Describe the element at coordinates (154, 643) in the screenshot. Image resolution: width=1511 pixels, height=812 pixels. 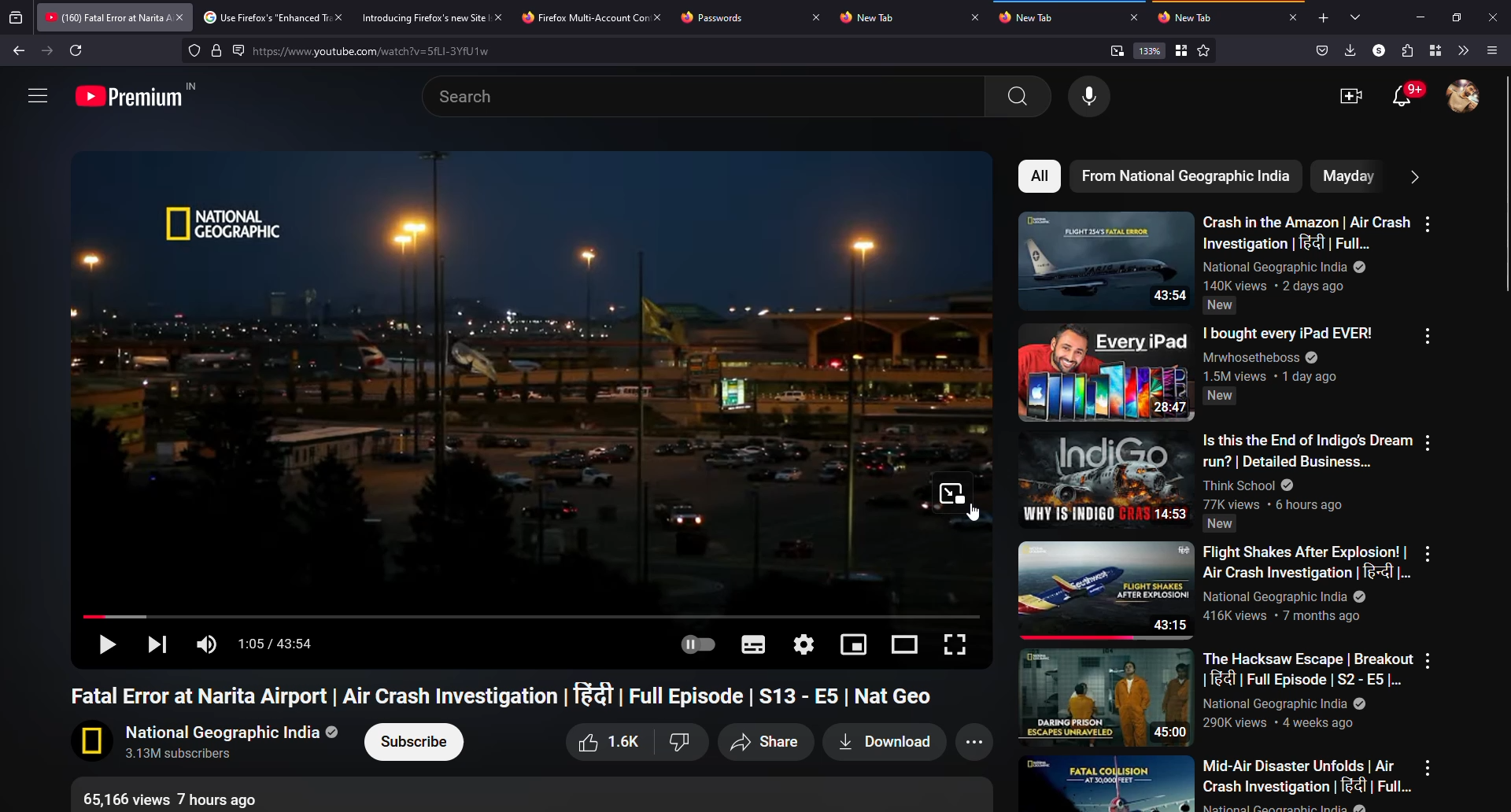
I see `Next video` at that location.